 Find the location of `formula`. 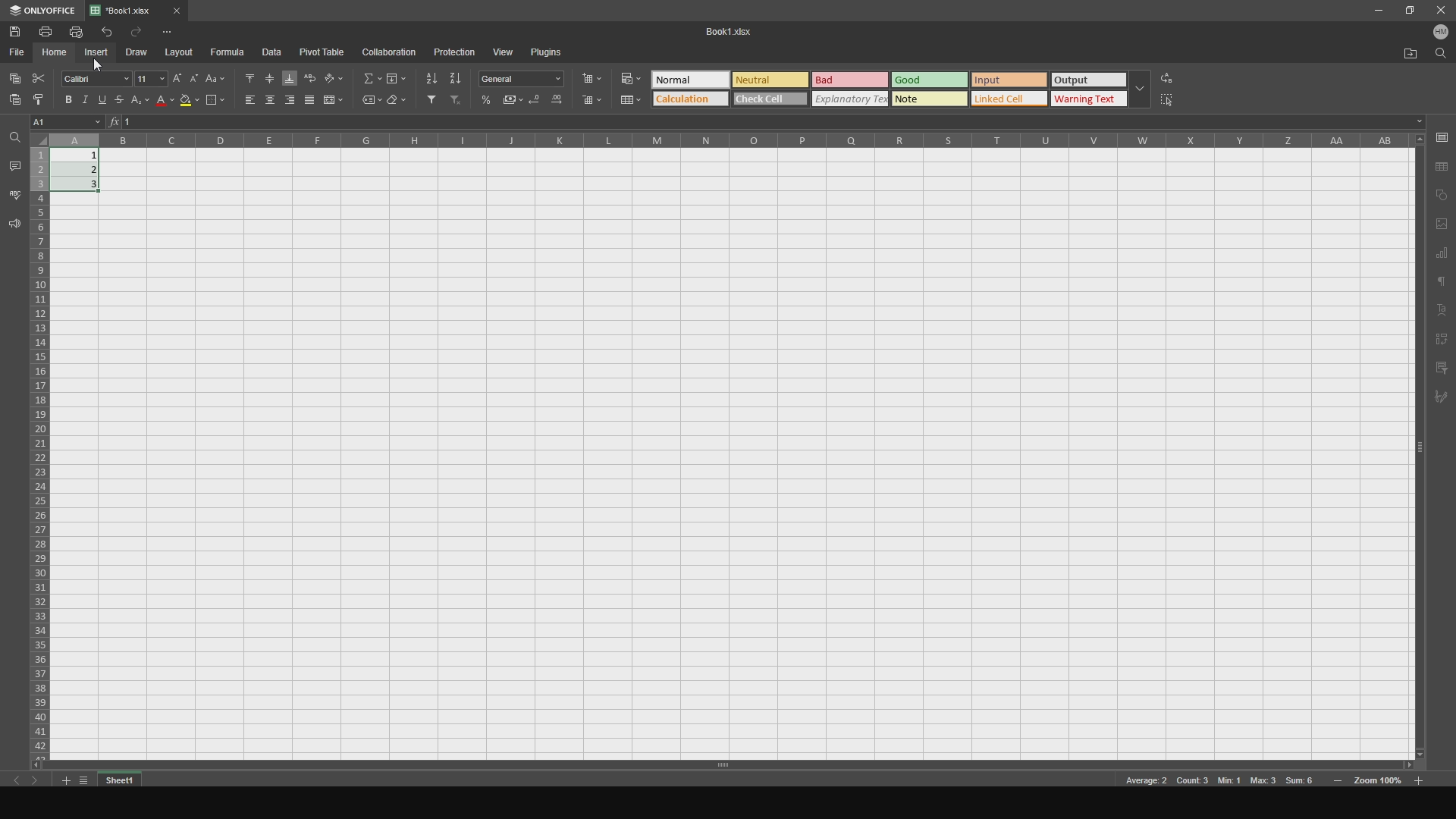

formula is located at coordinates (229, 52).